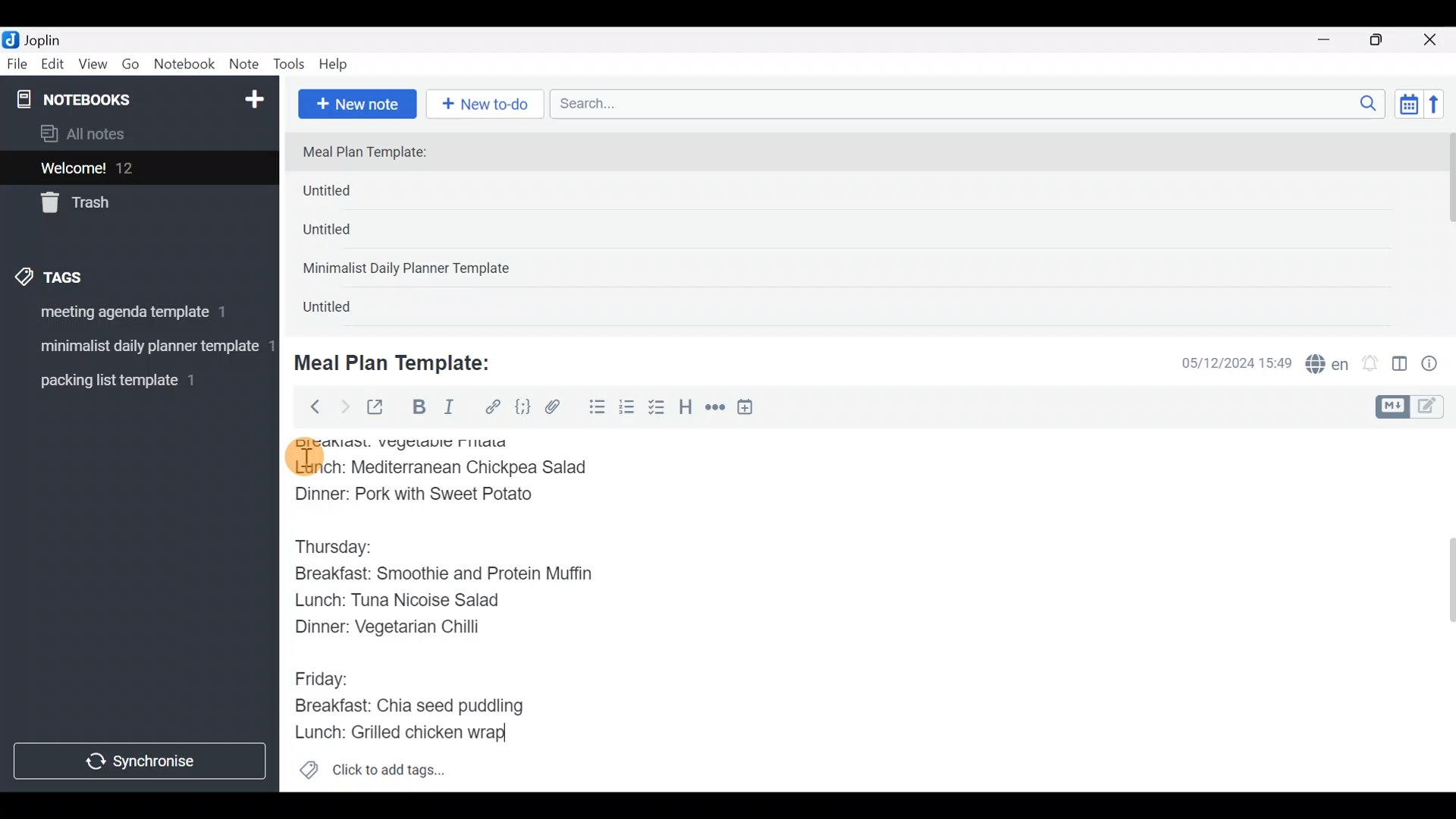 The height and width of the screenshot is (819, 1456). I want to click on Tag 2, so click(139, 348).